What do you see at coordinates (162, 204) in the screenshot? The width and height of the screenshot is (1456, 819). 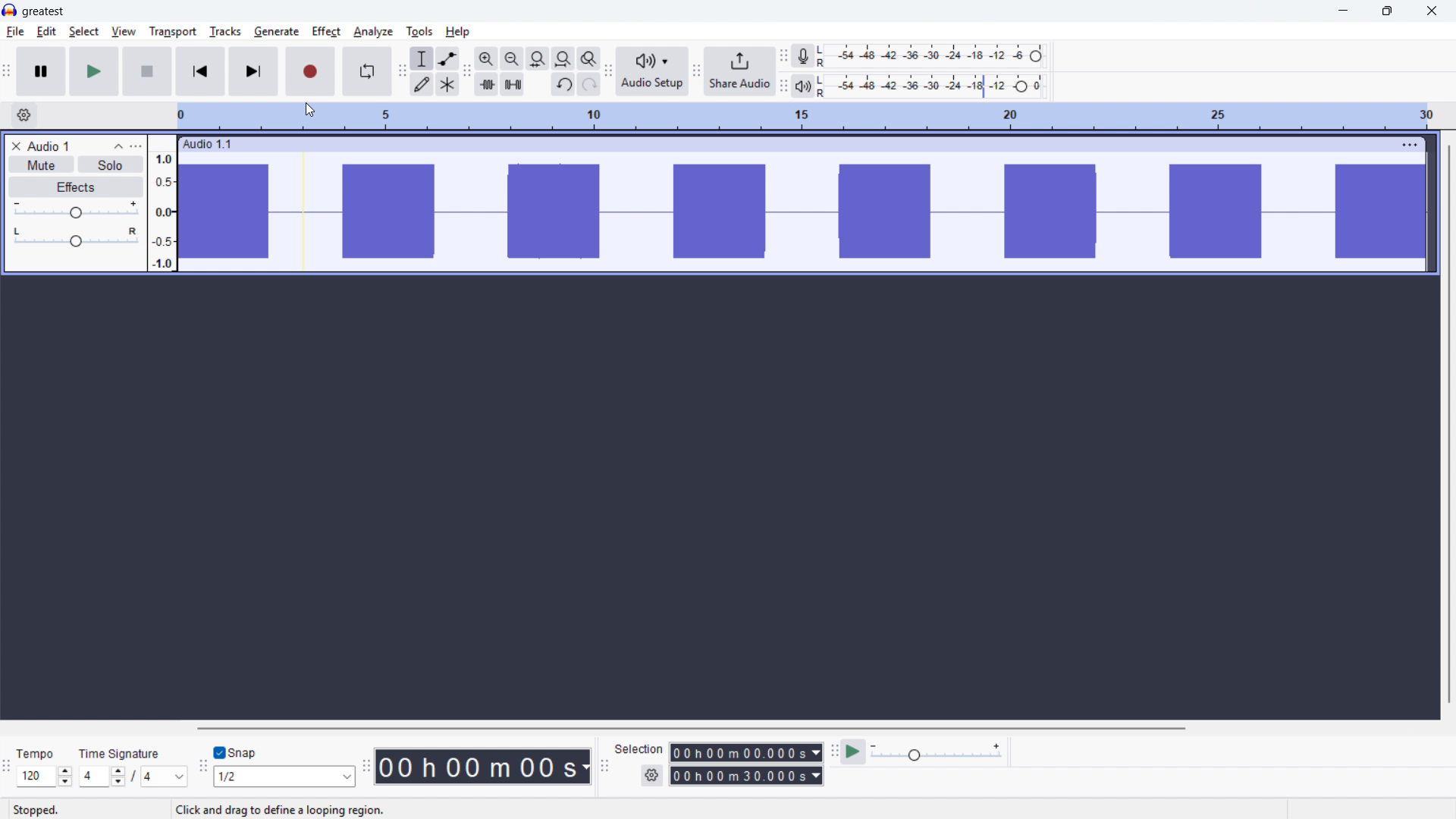 I see `Amplitude ` at bounding box center [162, 204].